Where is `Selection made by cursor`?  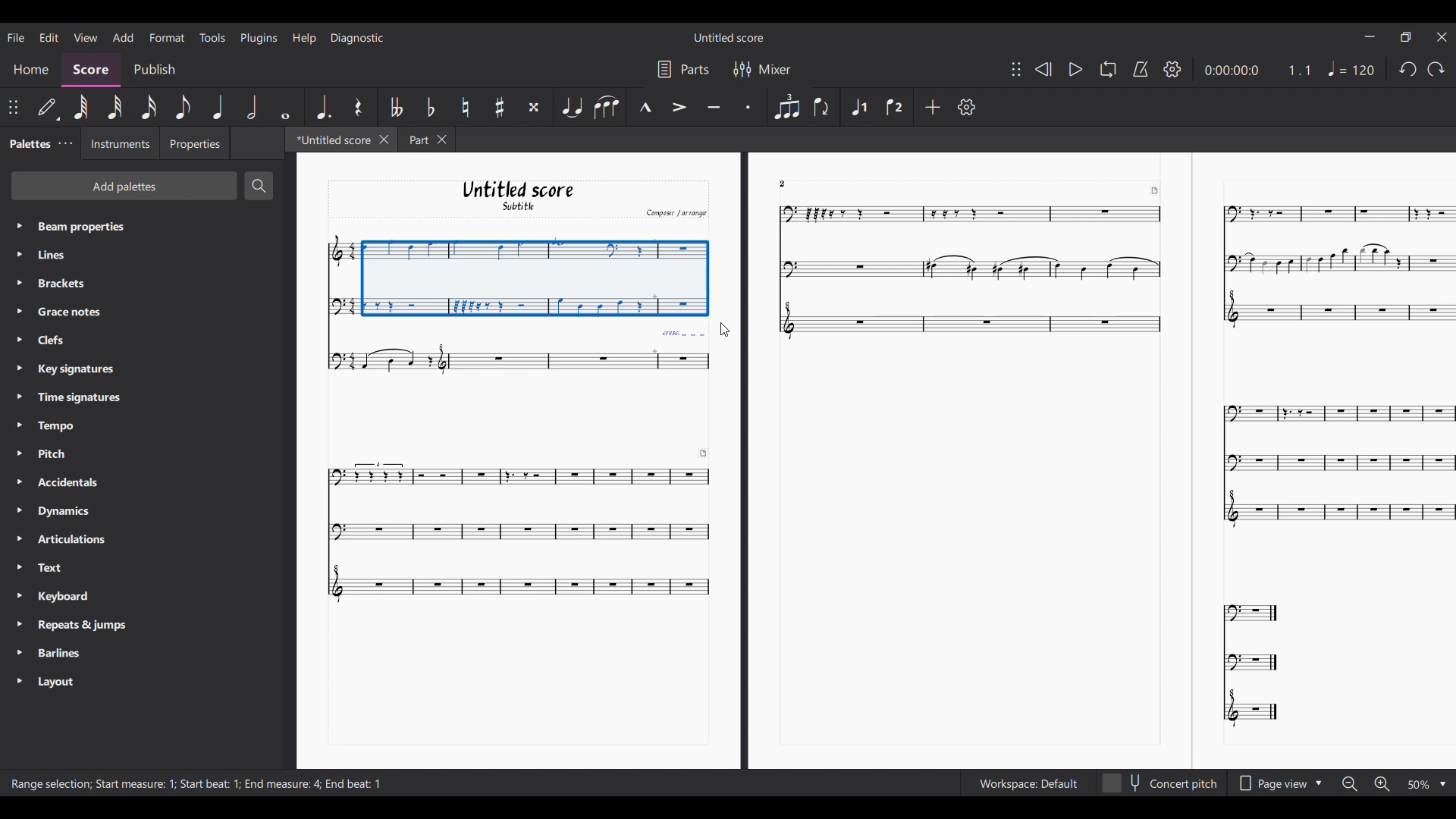
Selection made by cursor is located at coordinates (517, 272).